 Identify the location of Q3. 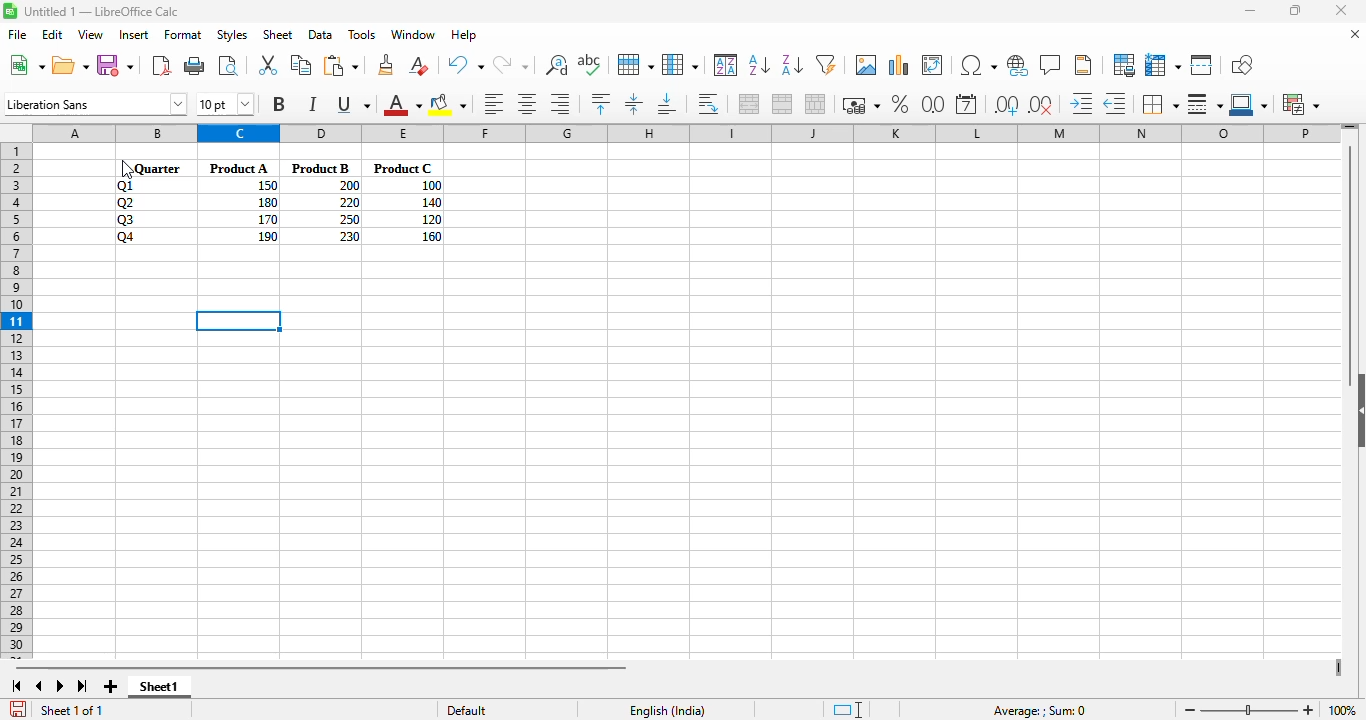
(127, 220).